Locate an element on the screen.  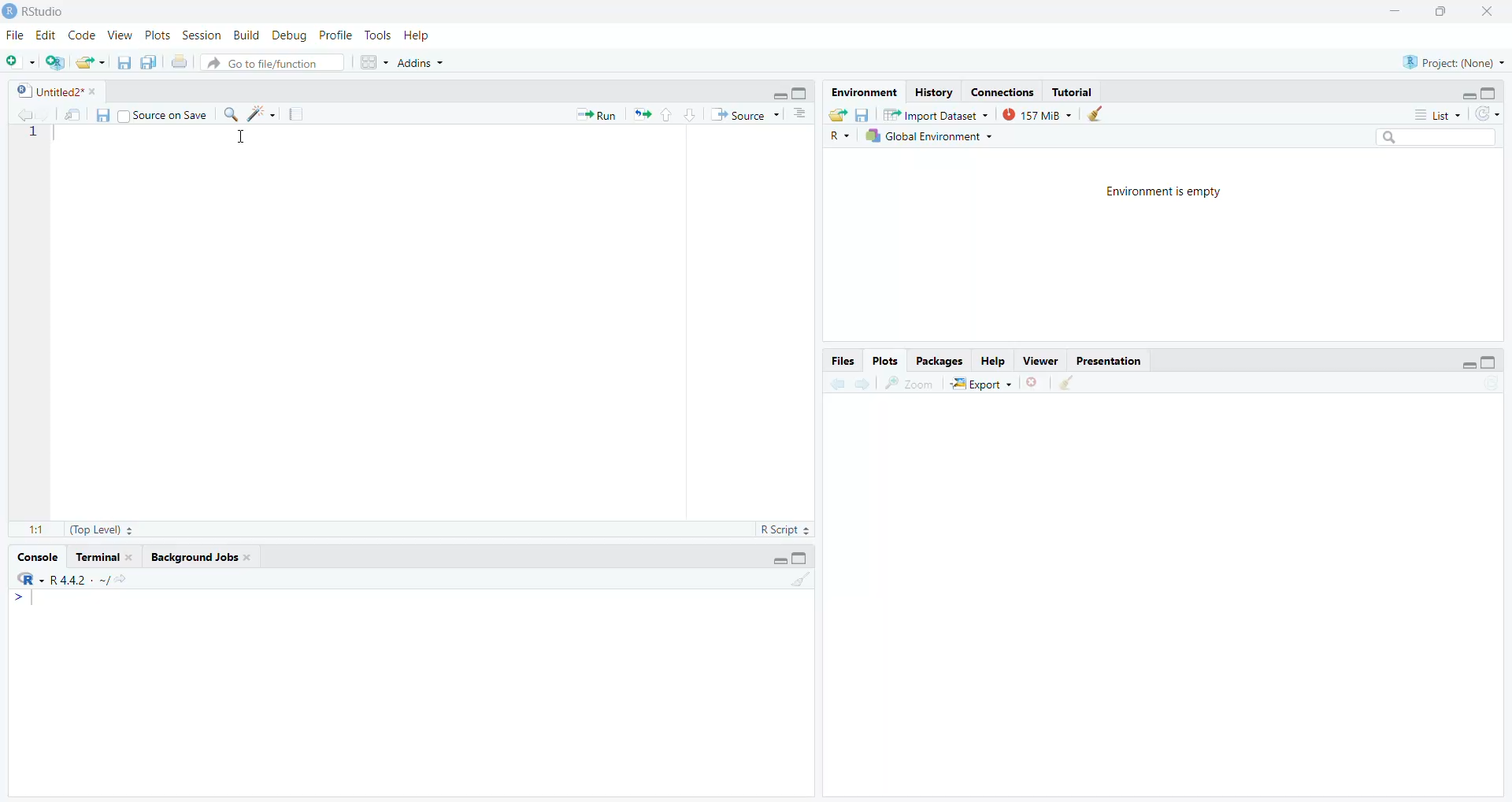
save current document is located at coordinates (124, 63).